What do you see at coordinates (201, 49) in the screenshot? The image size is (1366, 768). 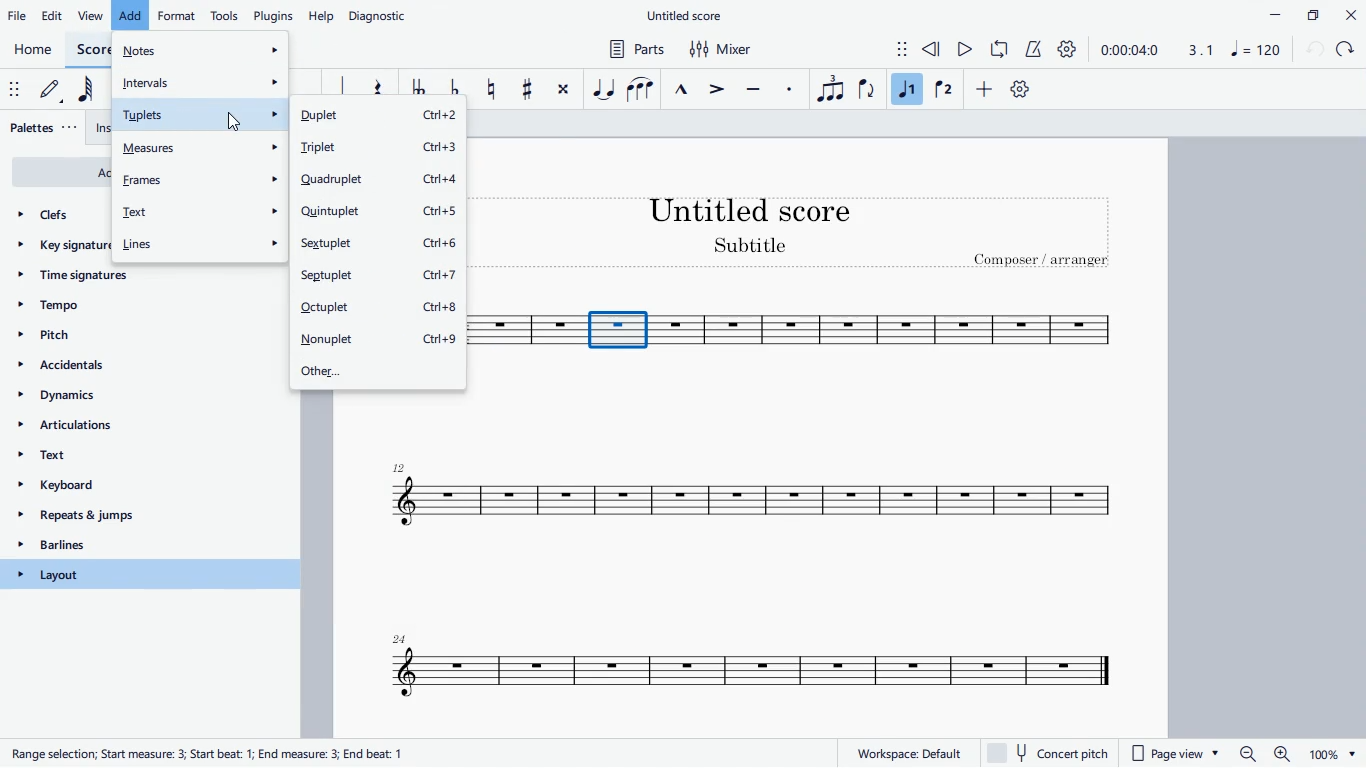 I see `notes` at bounding box center [201, 49].